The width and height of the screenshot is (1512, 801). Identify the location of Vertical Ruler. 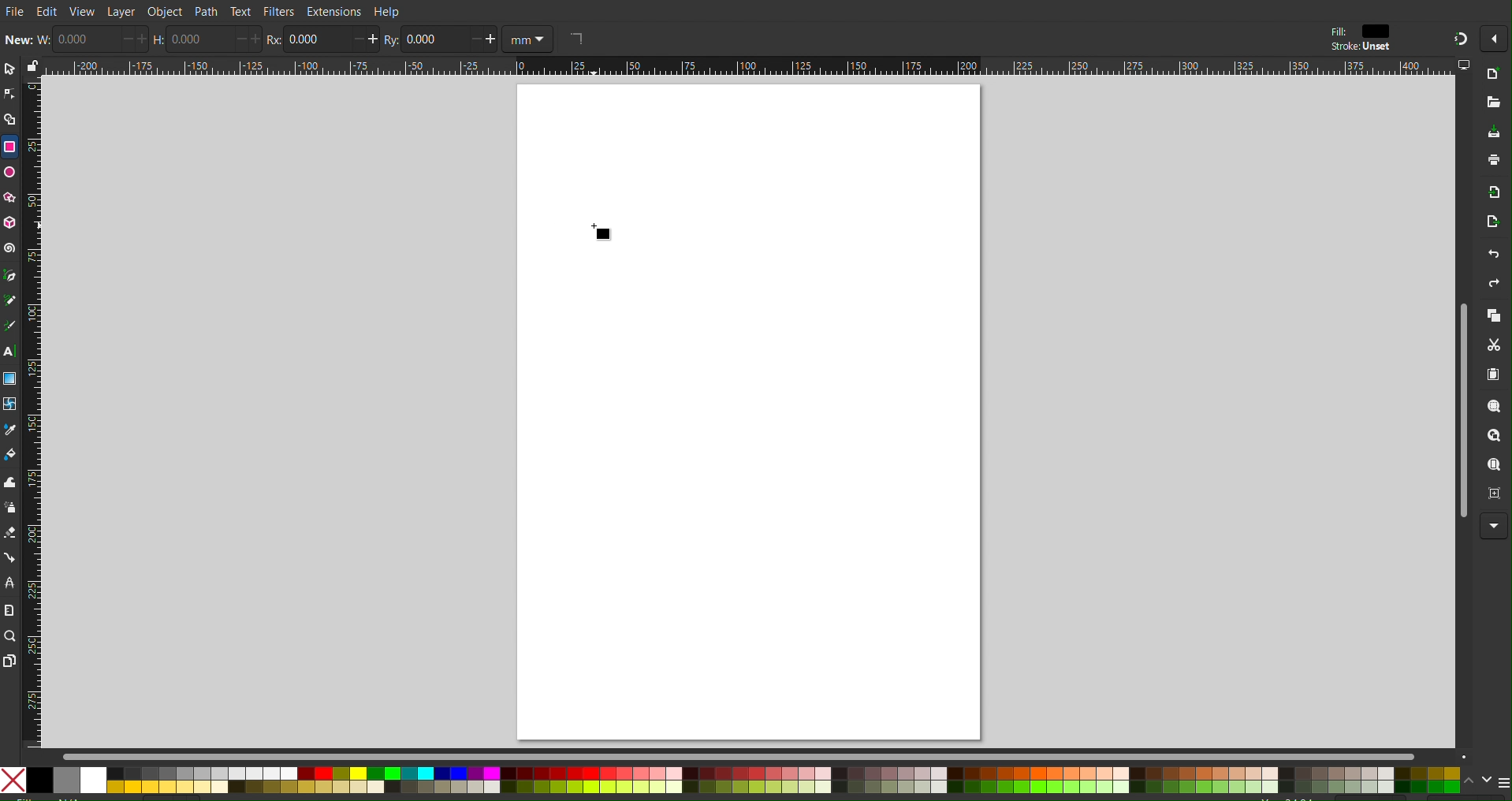
(32, 412).